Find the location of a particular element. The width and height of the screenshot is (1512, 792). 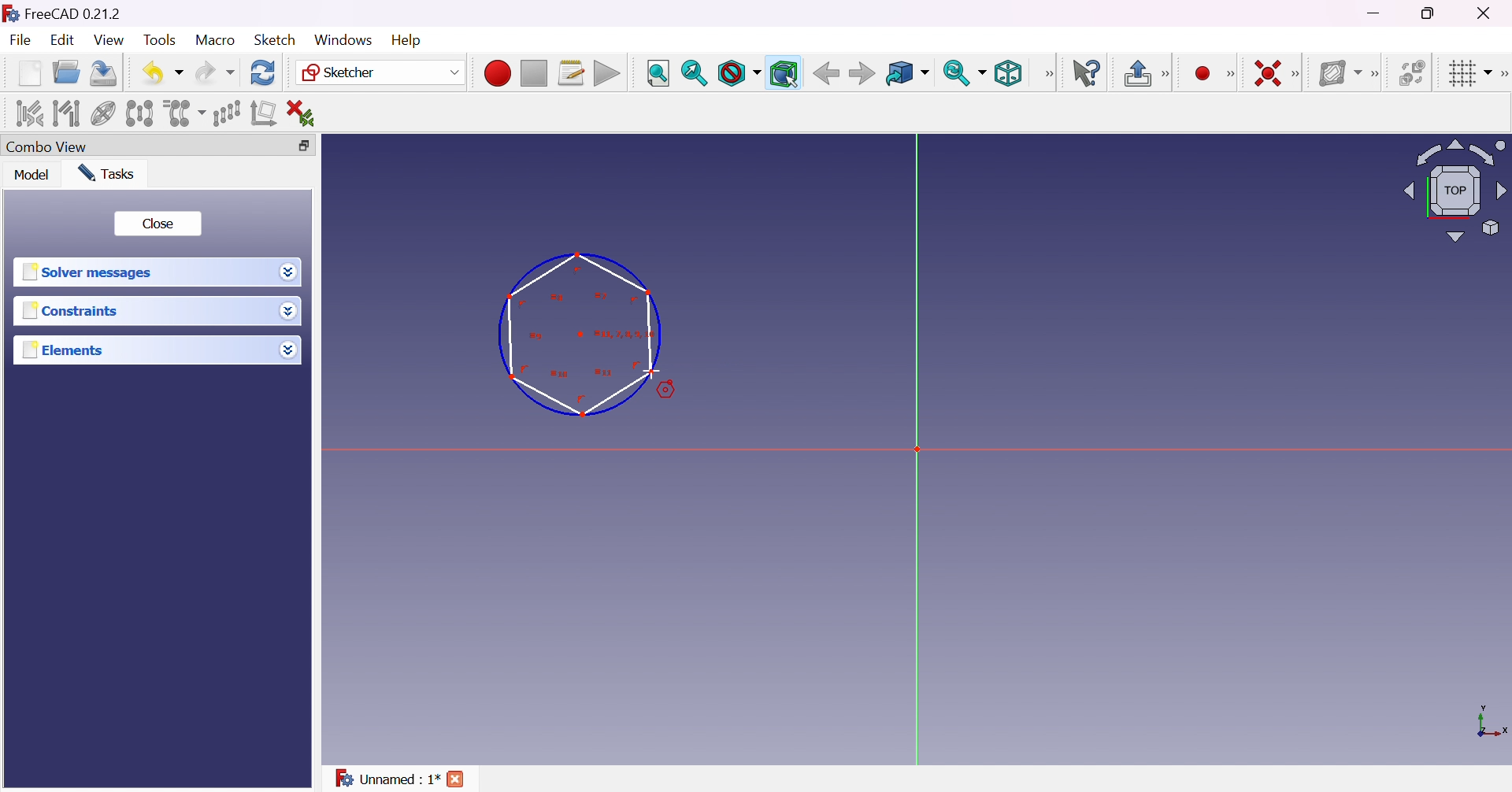

Combo View is located at coordinates (47, 146).